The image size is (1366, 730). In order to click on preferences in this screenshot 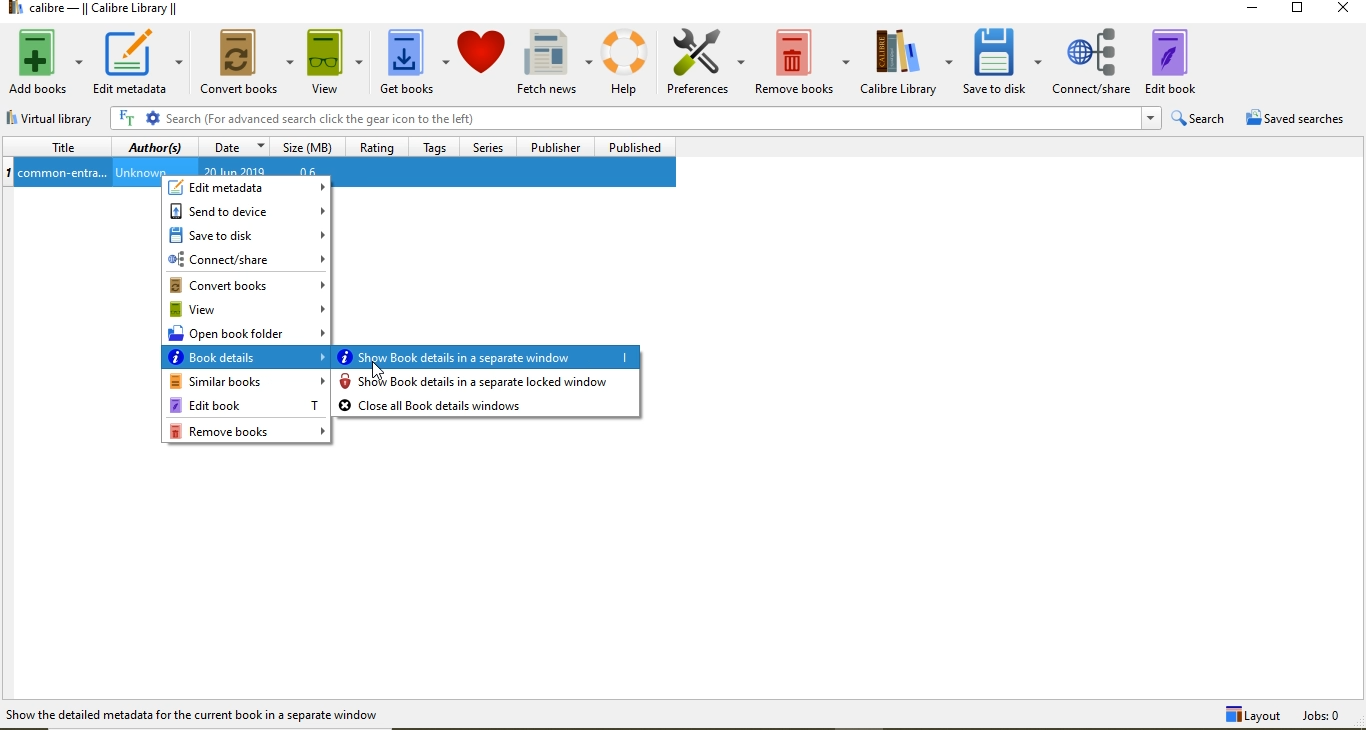, I will do `click(707, 61)`.